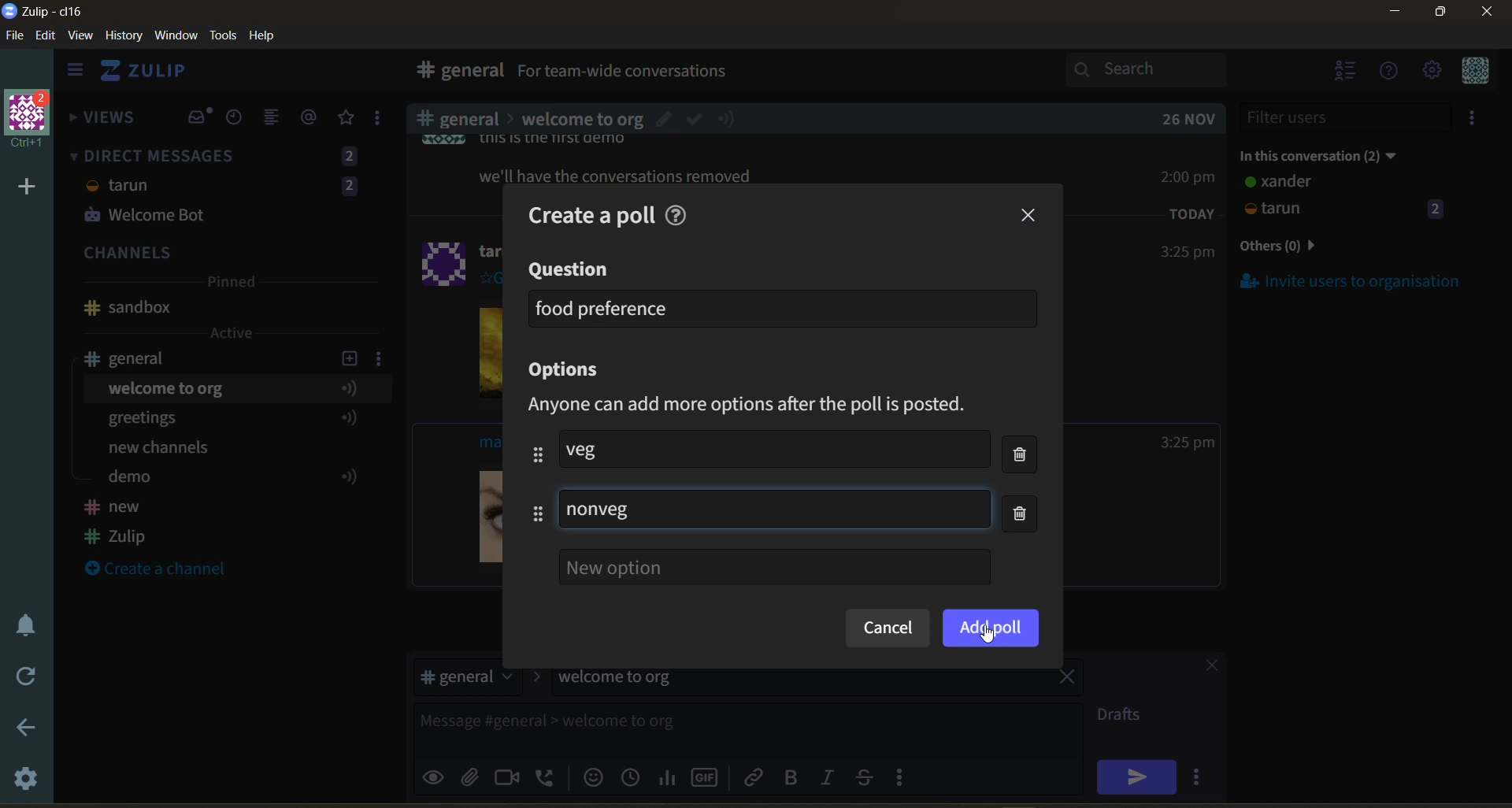  I want to click on pinned, so click(230, 284).